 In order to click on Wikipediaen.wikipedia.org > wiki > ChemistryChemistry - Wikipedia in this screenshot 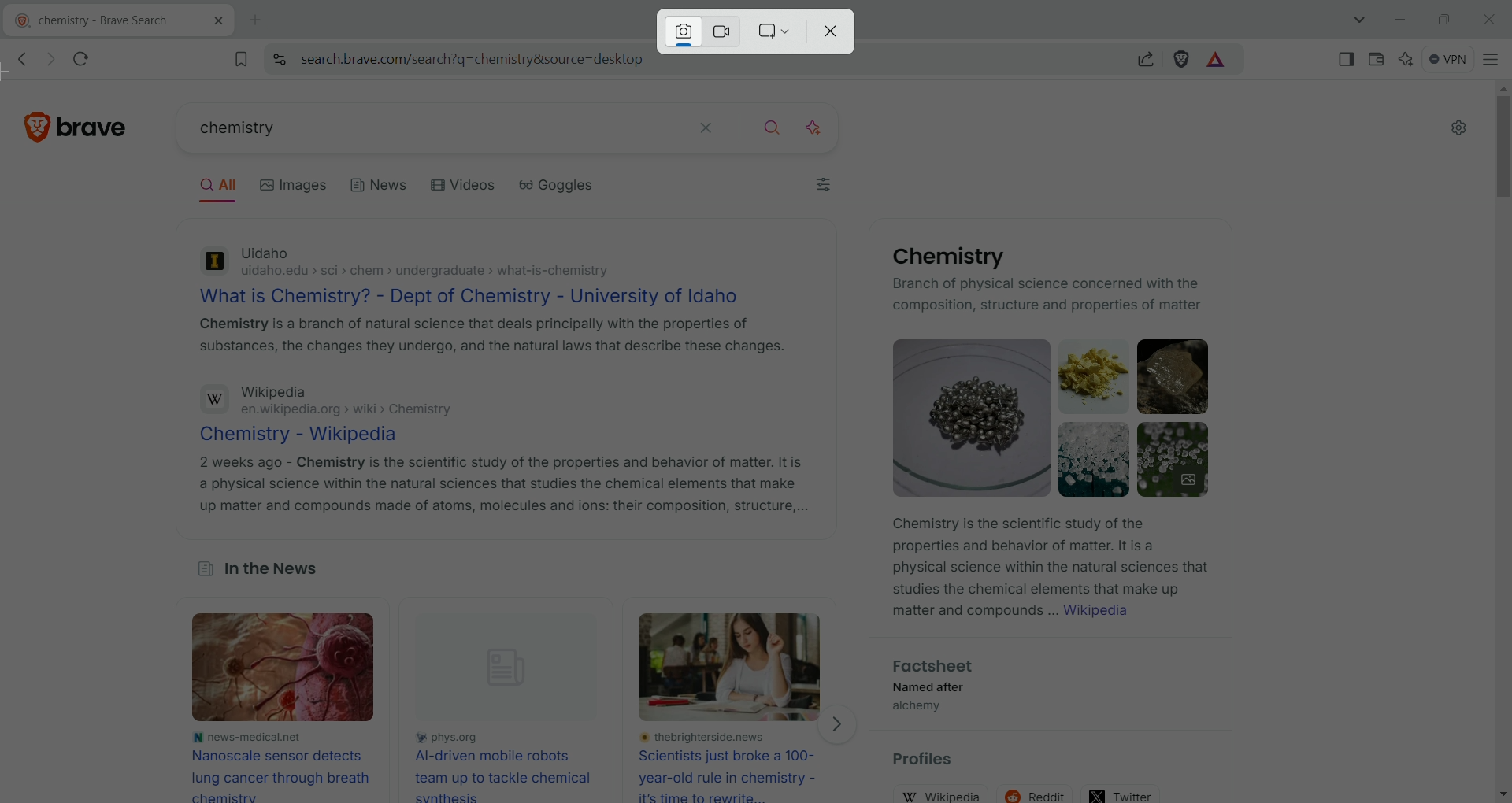, I will do `click(350, 413)`.